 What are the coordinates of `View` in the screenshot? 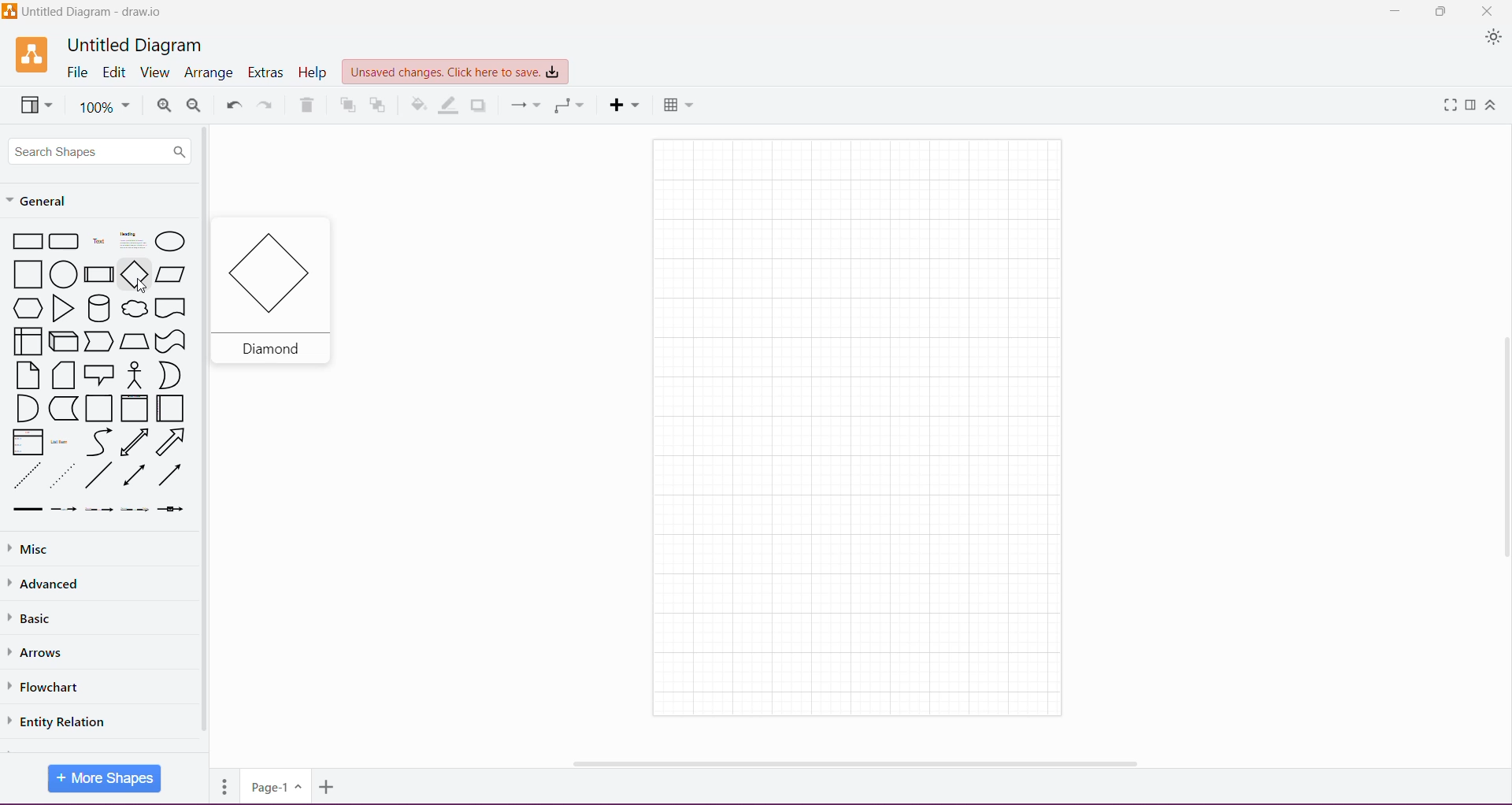 It's located at (36, 105).